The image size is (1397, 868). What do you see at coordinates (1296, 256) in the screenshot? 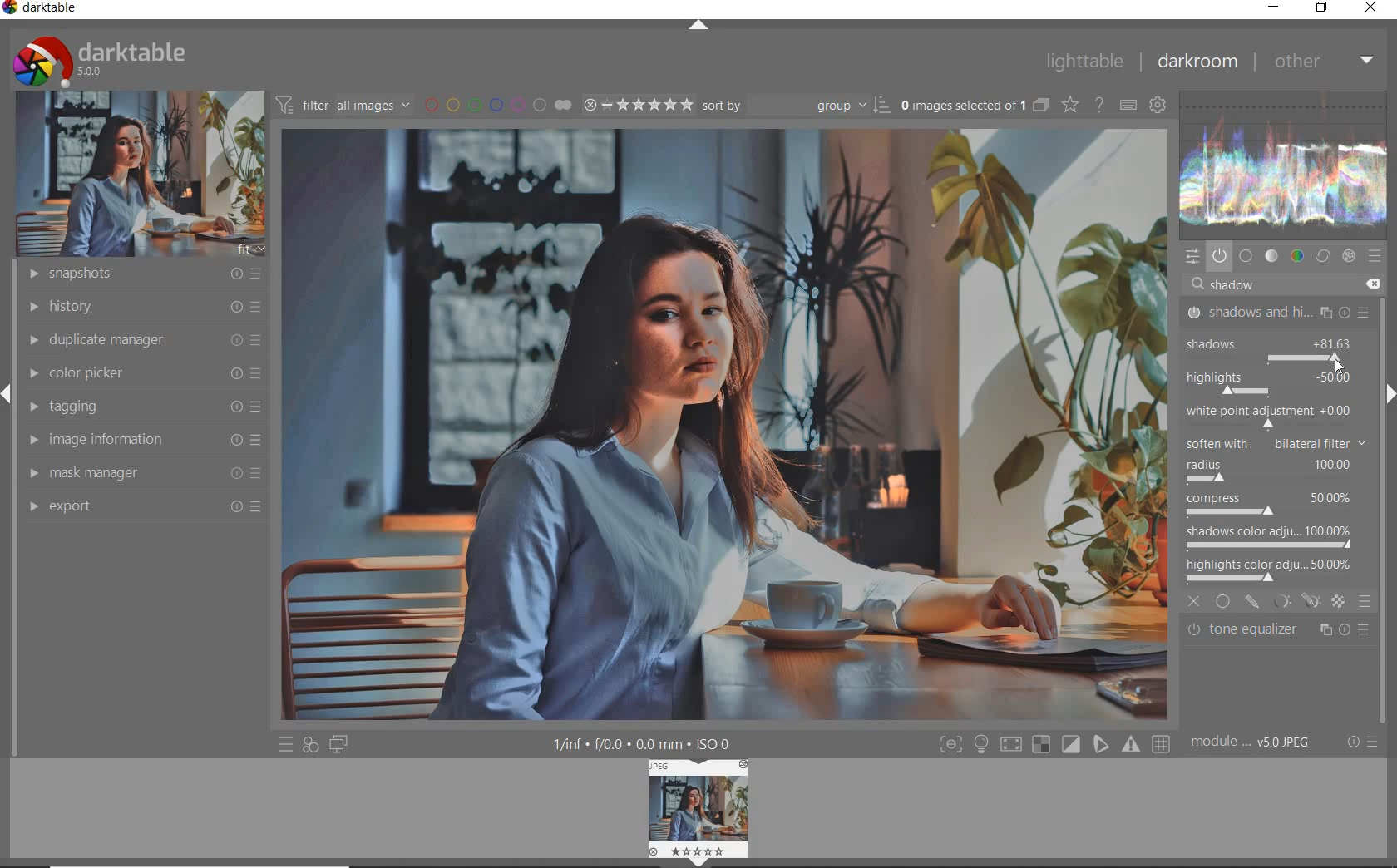
I see `color` at bounding box center [1296, 256].